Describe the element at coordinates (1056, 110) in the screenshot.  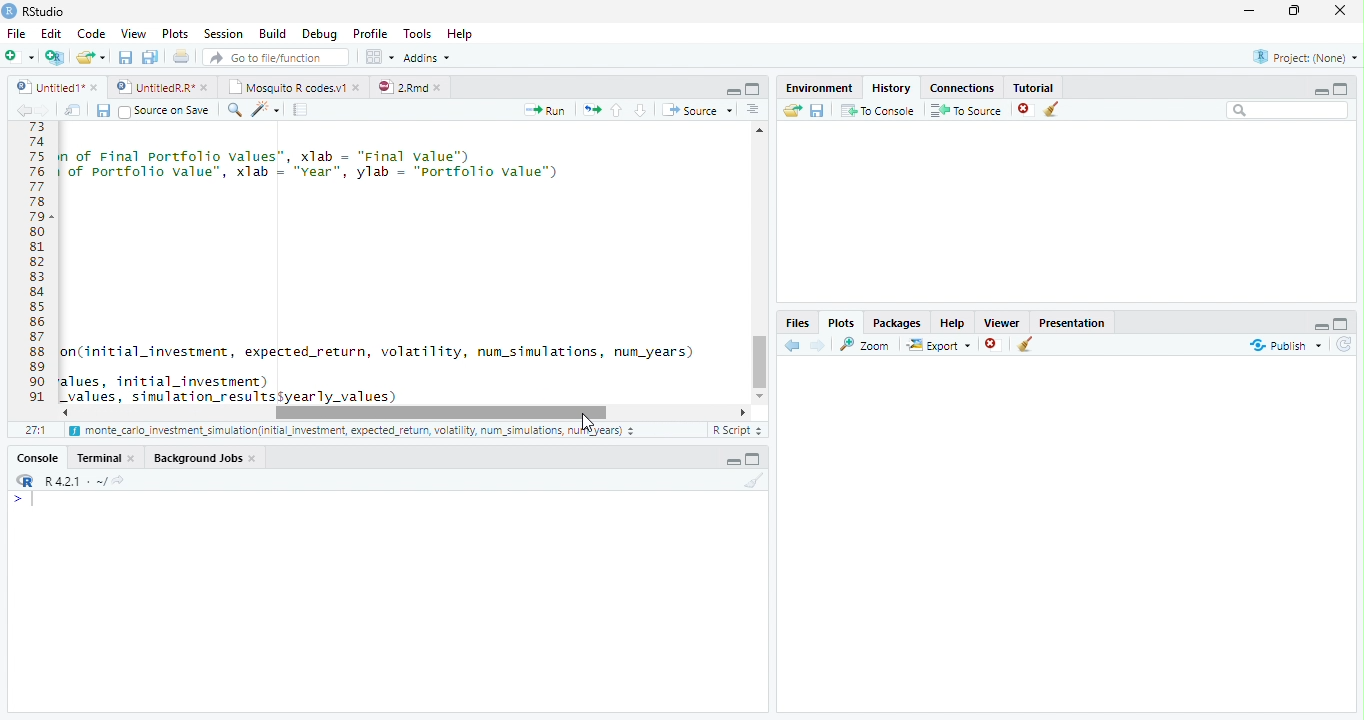
I see `Clear` at that location.